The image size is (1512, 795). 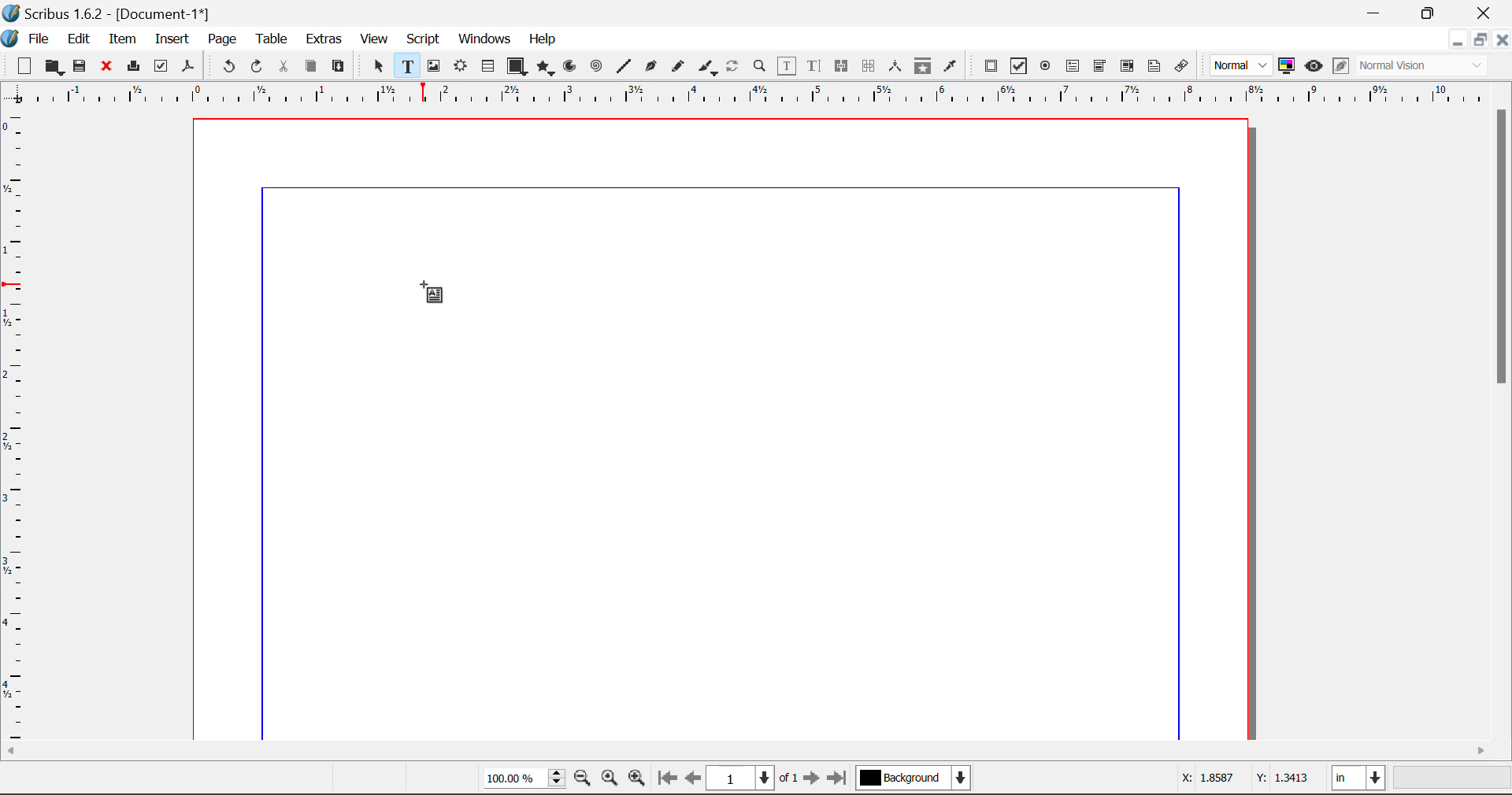 What do you see at coordinates (79, 38) in the screenshot?
I see `Edit` at bounding box center [79, 38].